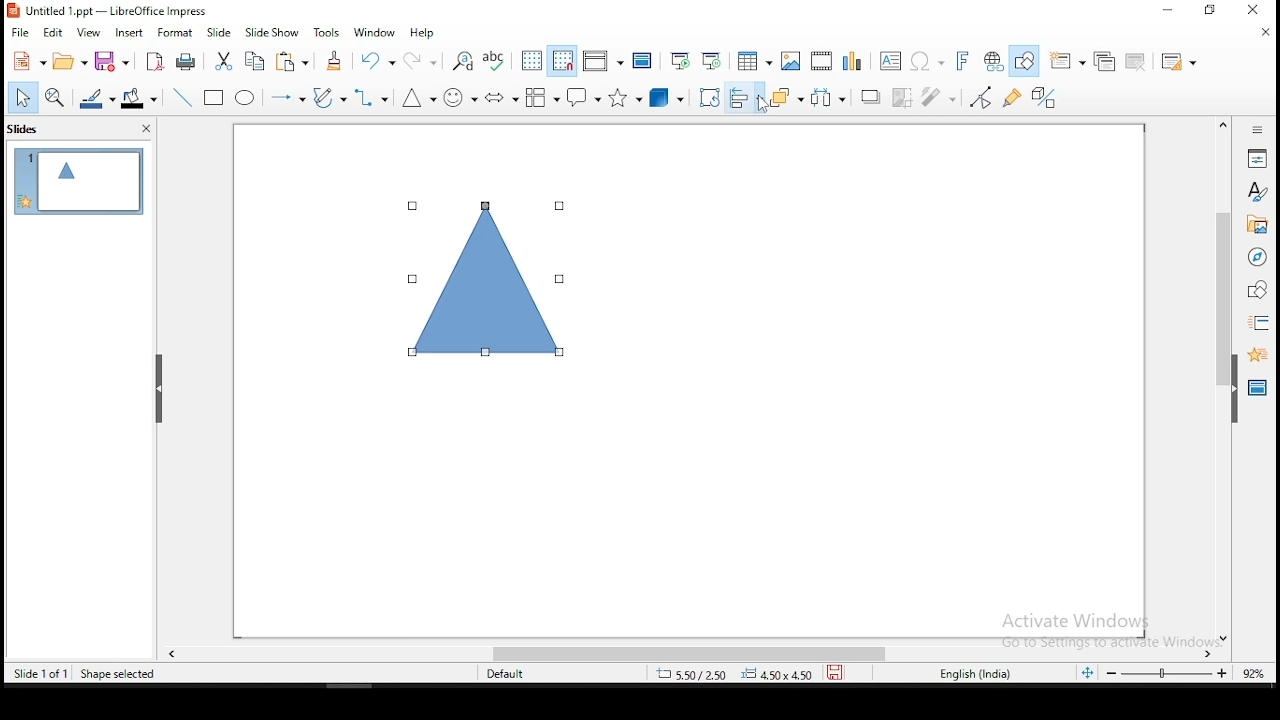 The width and height of the screenshot is (1280, 720). I want to click on file, so click(20, 34).